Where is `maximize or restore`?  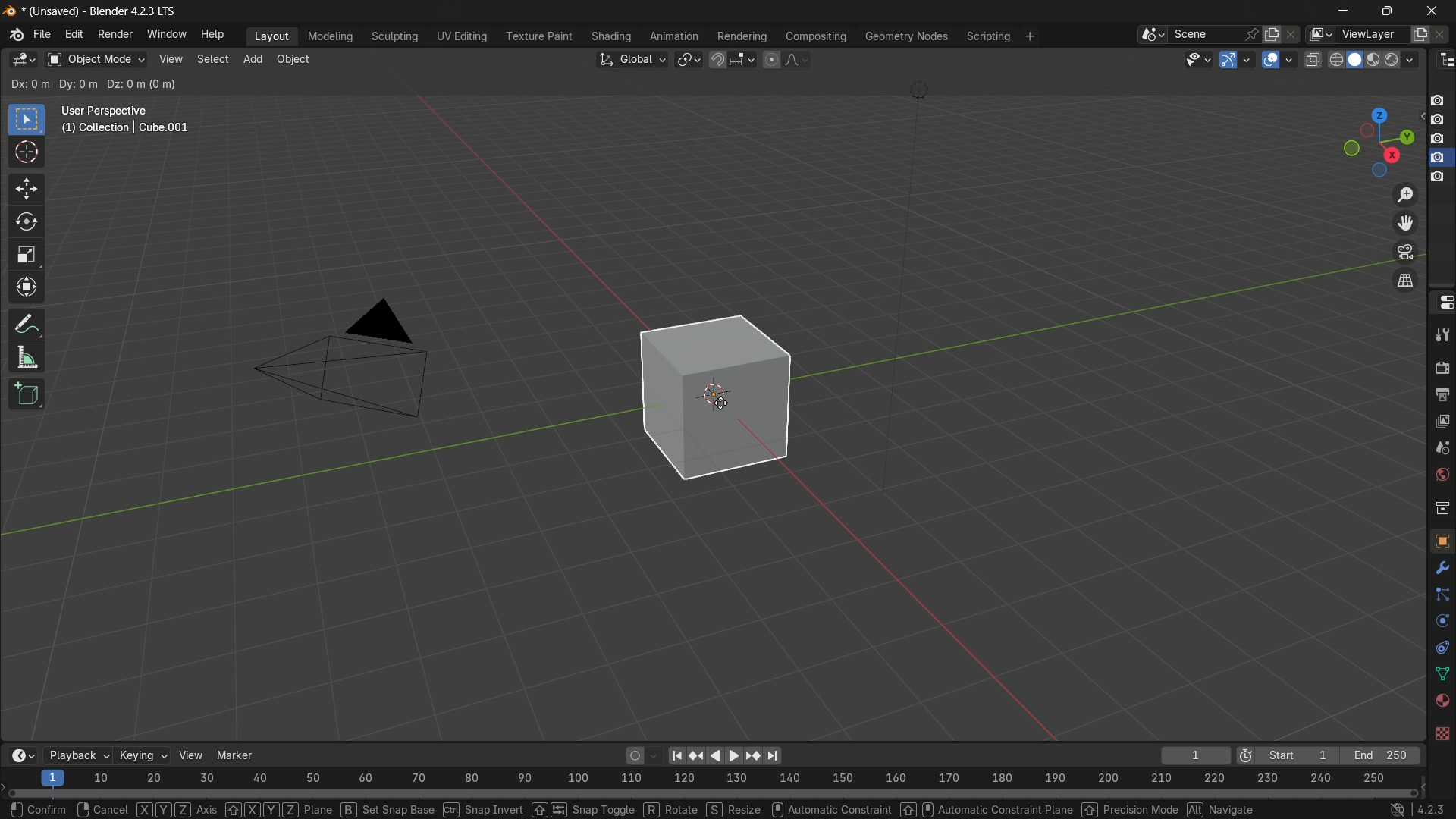 maximize or restore is located at coordinates (1386, 10).